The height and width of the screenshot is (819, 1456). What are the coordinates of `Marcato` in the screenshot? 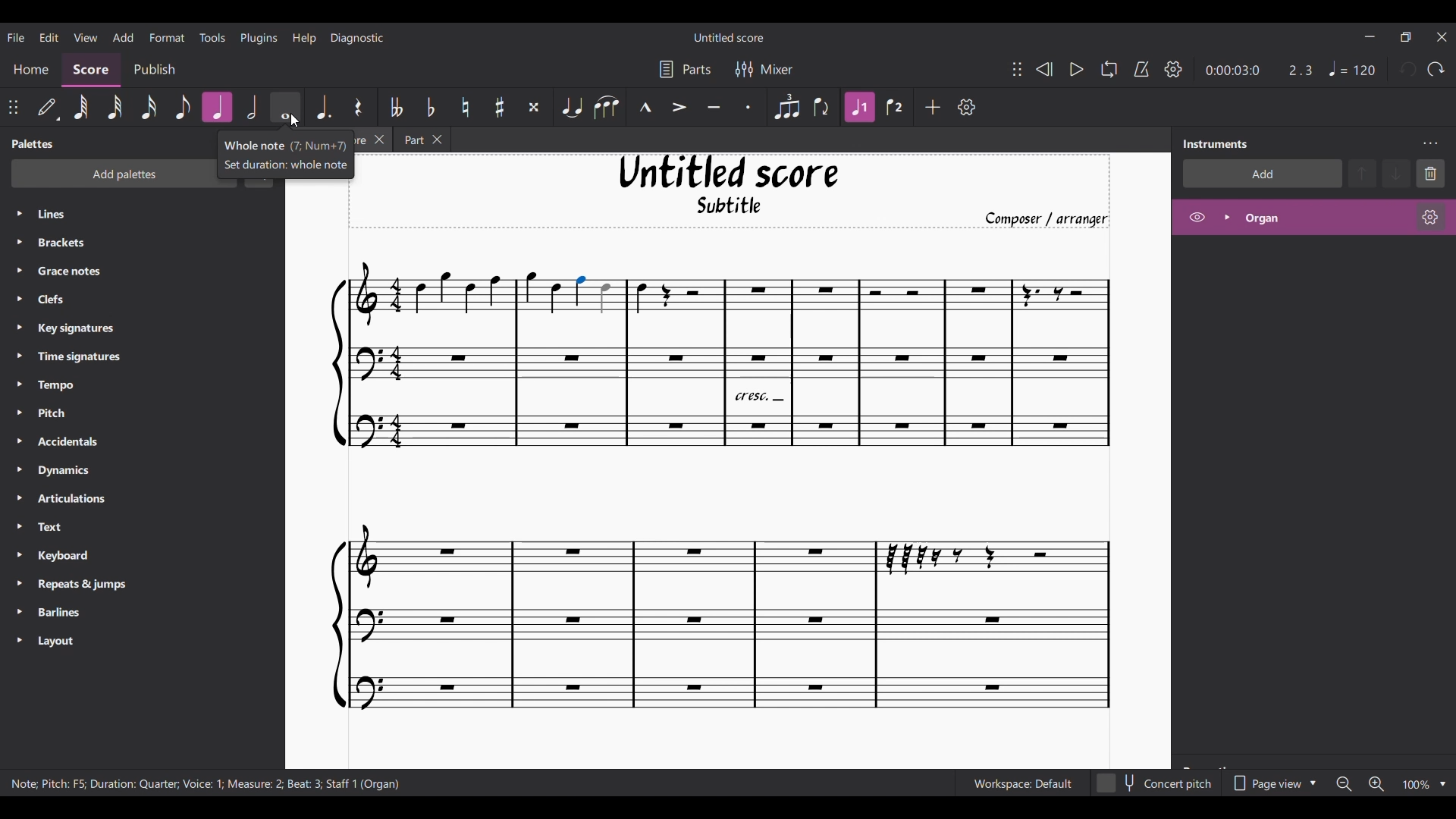 It's located at (645, 107).